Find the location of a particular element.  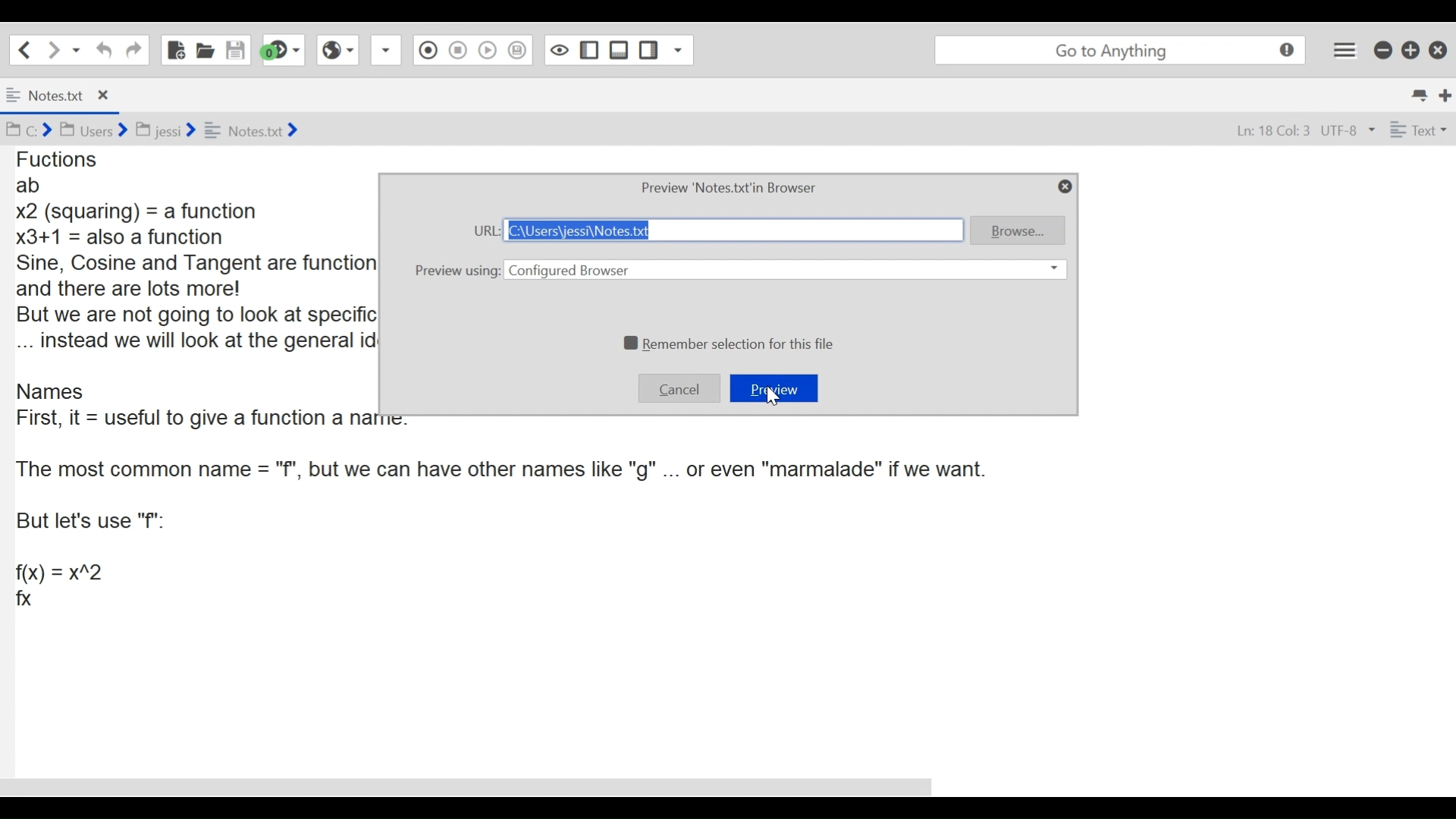

Recent locations is located at coordinates (78, 49).